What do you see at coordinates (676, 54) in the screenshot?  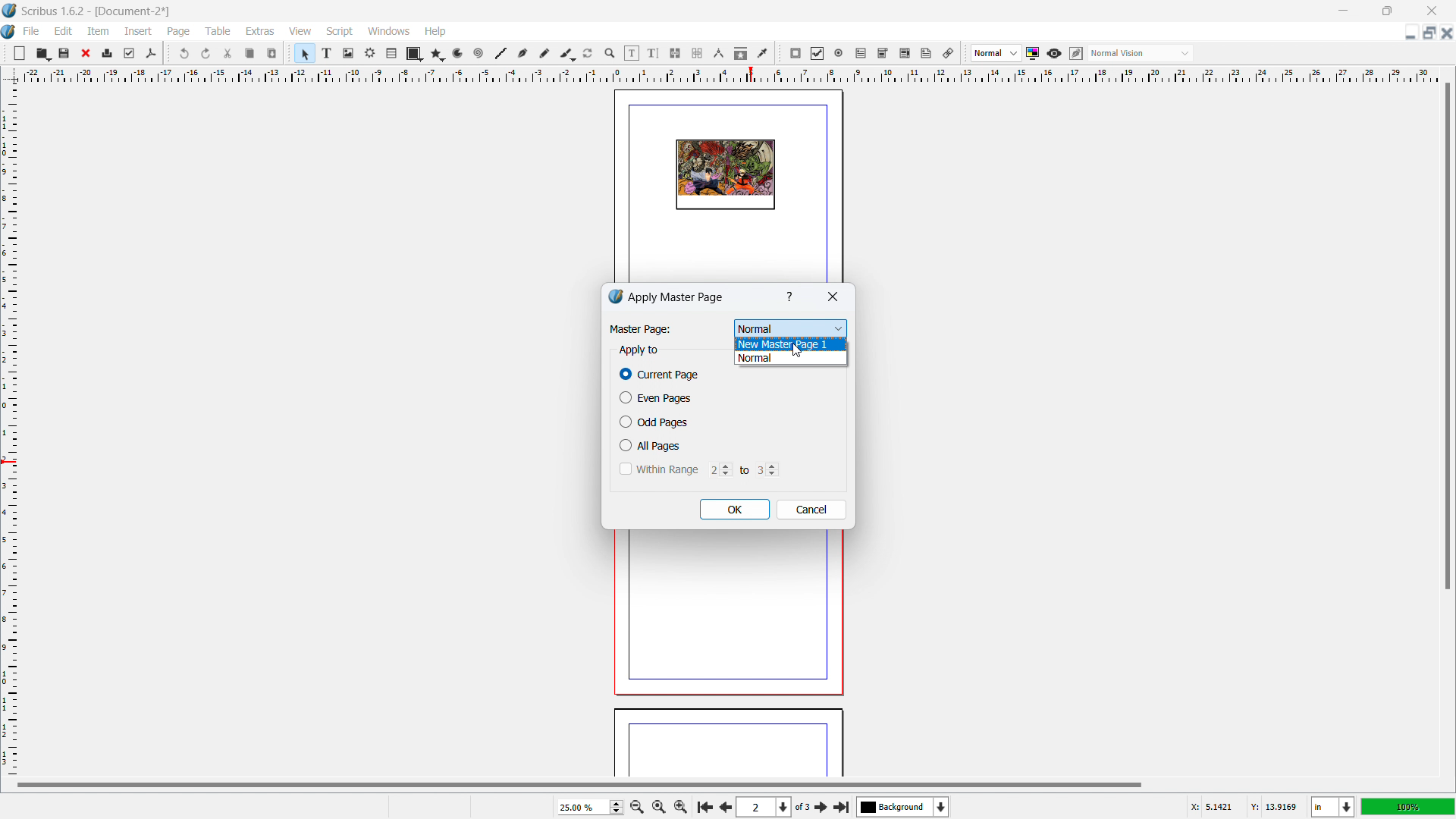 I see `link text frames` at bounding box center [676, 54].